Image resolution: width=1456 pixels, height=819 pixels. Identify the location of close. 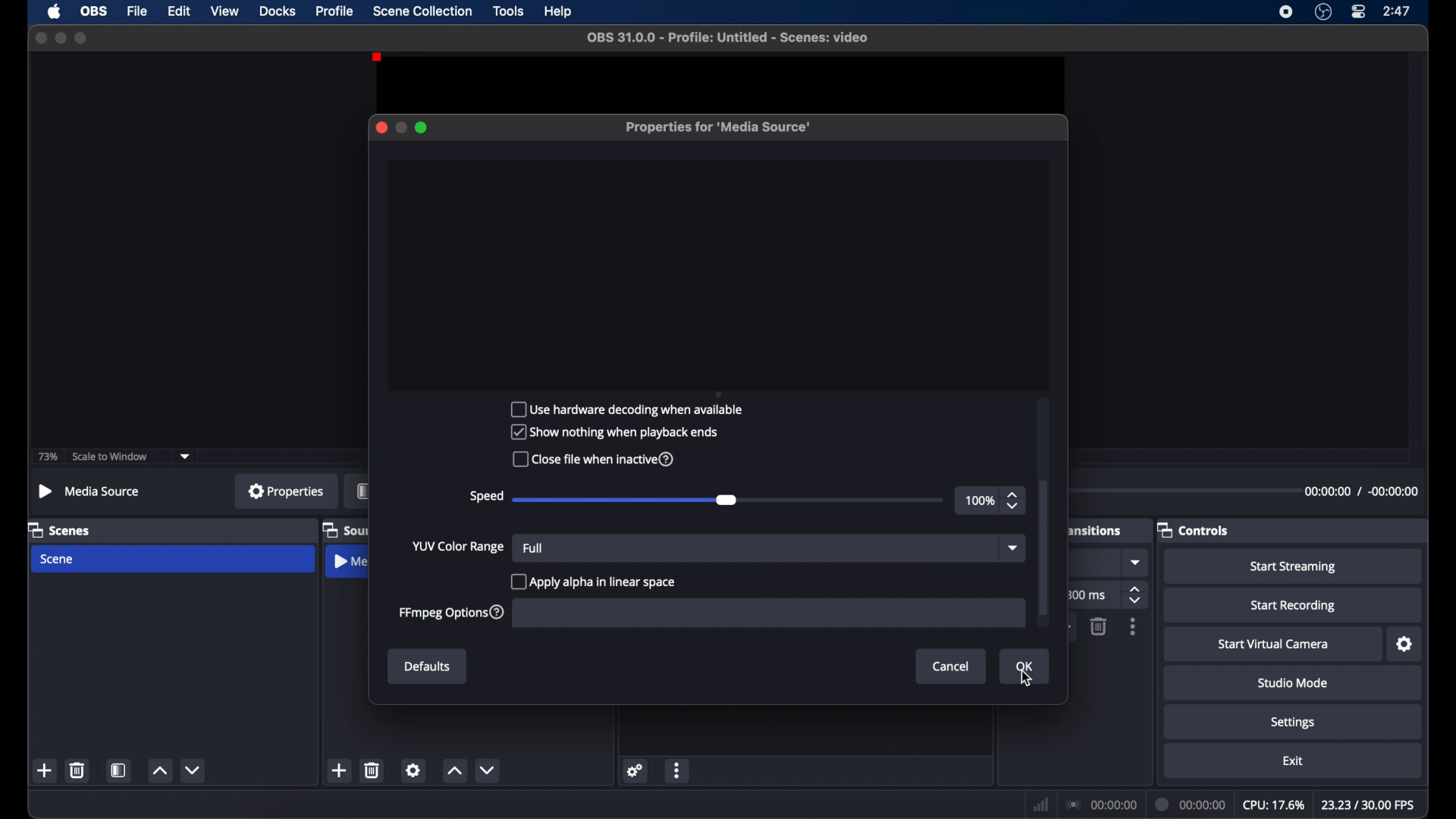
(40, 37).